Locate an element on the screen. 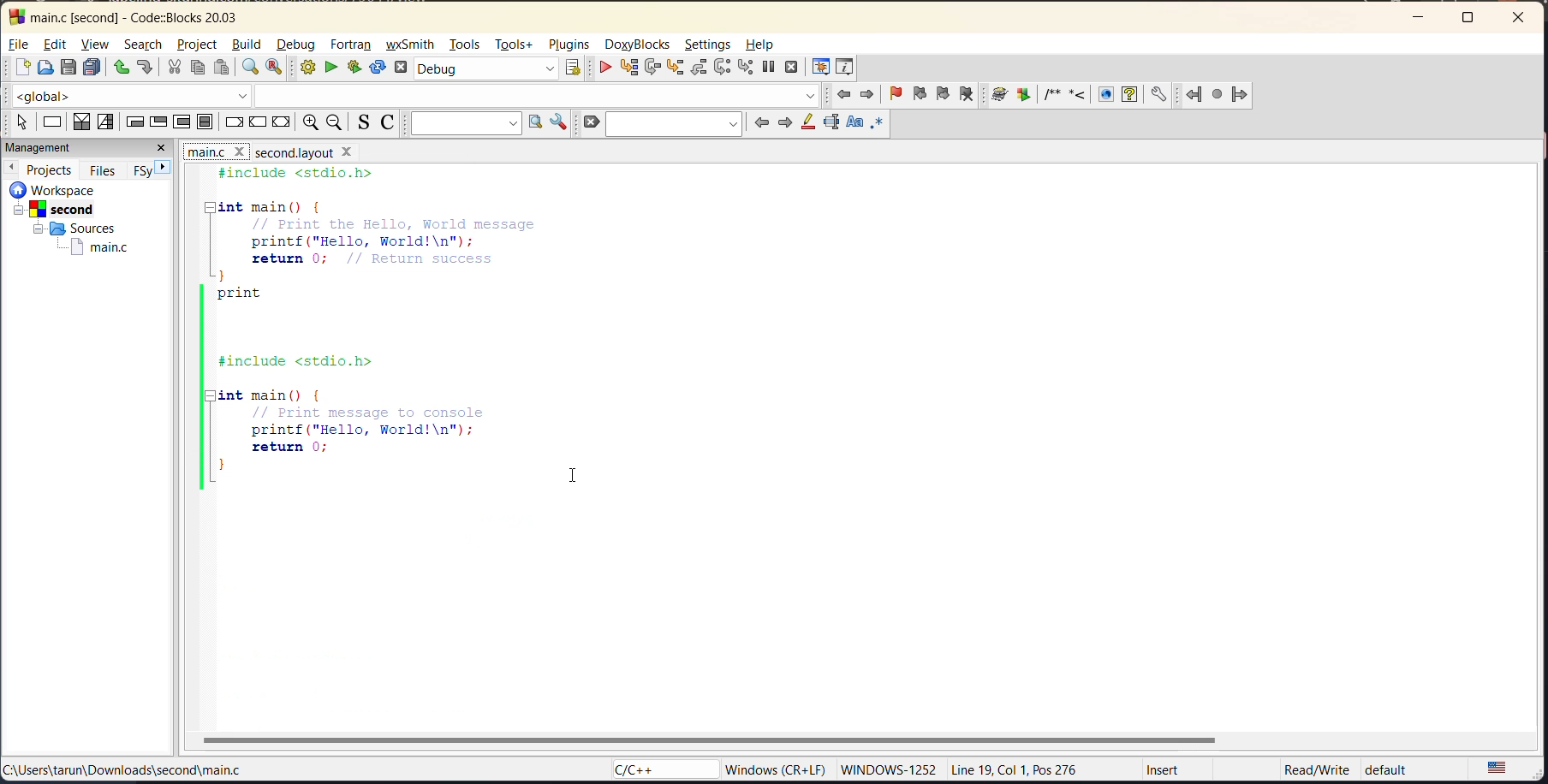 Image resolution: width=1548 pixels, height=784 pixels. various info is located at coordinates (846, 68).